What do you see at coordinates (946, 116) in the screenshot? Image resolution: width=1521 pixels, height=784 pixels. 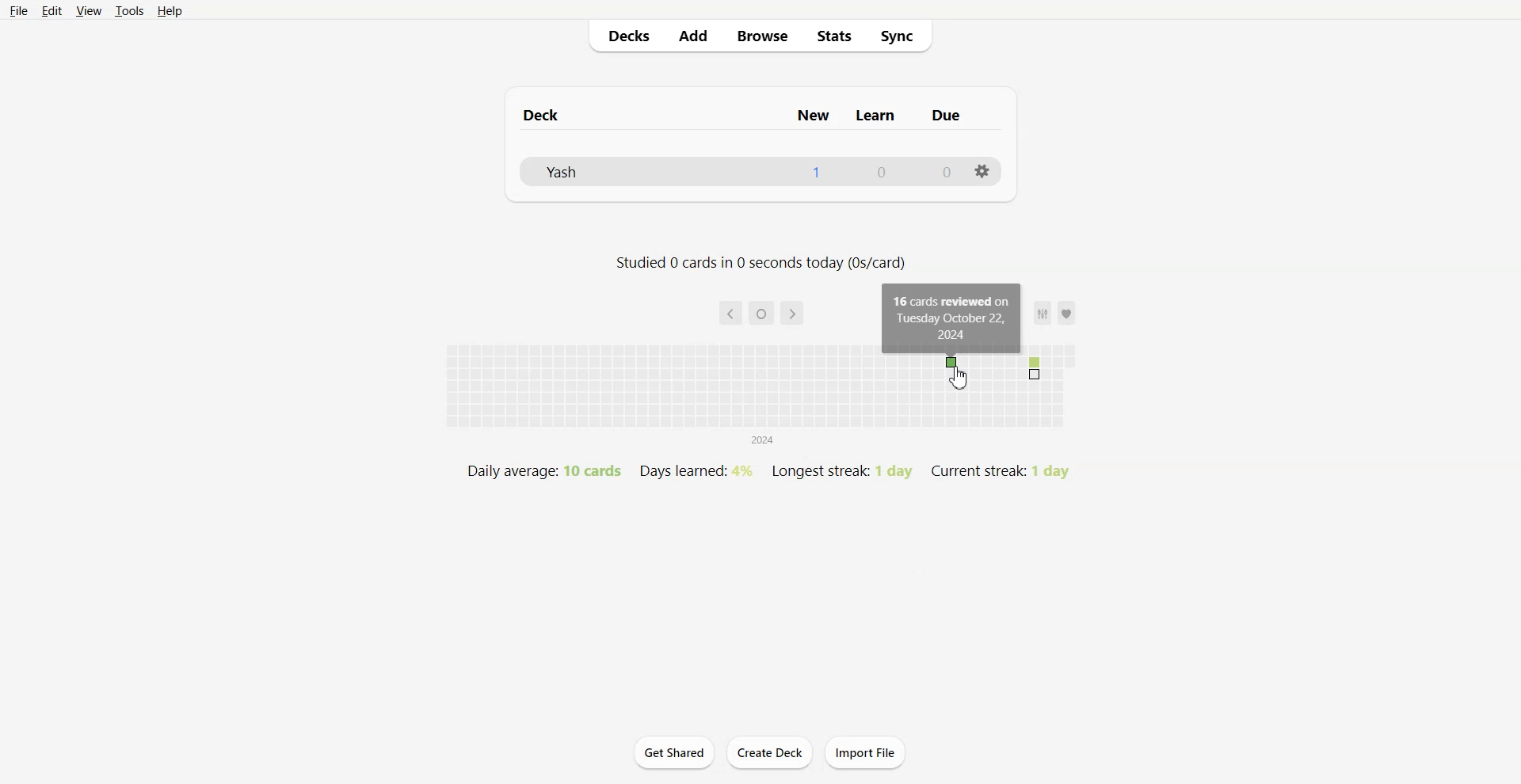 I see `due` at bounding box center [946, 116].